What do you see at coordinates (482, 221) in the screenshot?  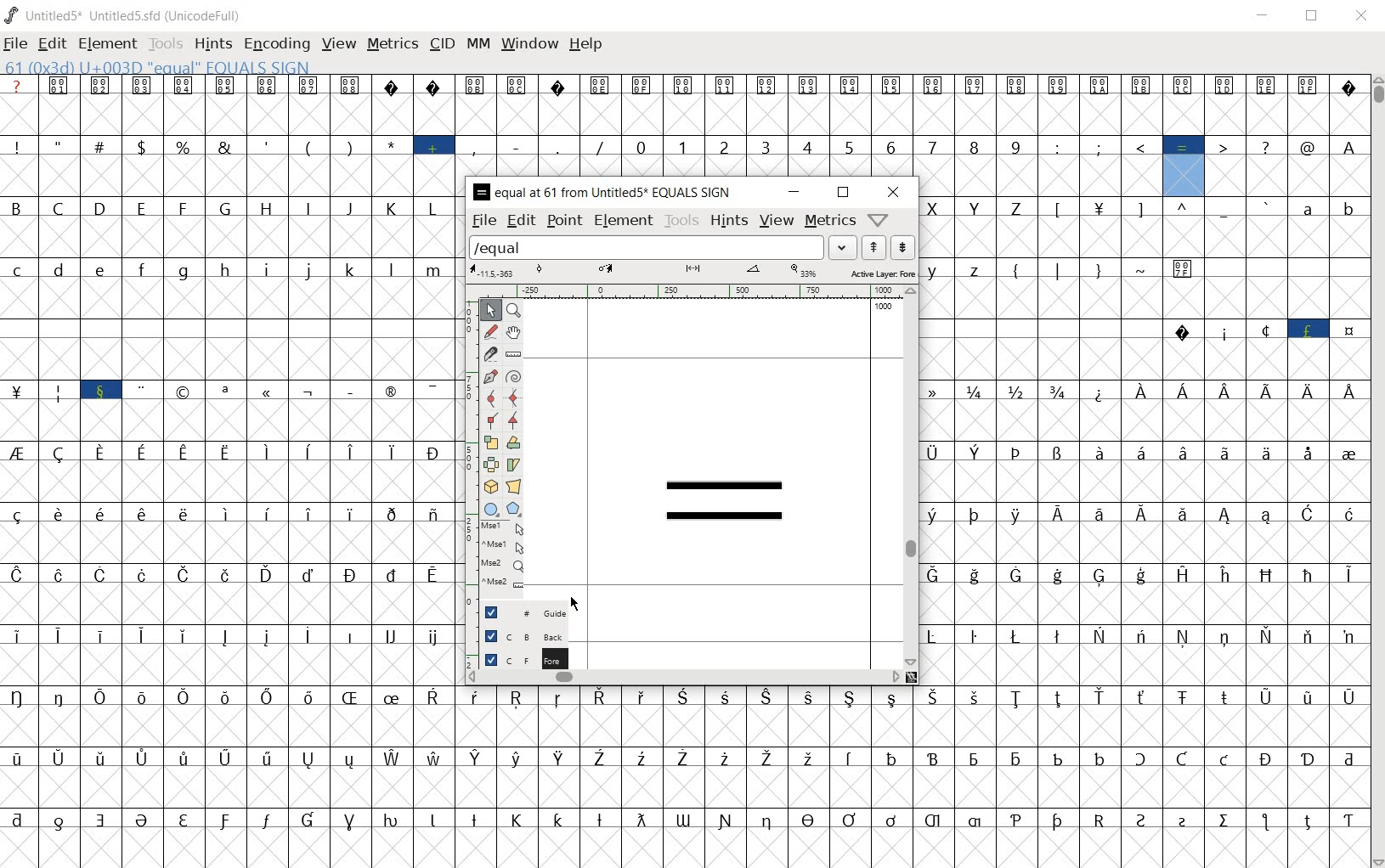 I see `file` at bounding box center [482, 221].